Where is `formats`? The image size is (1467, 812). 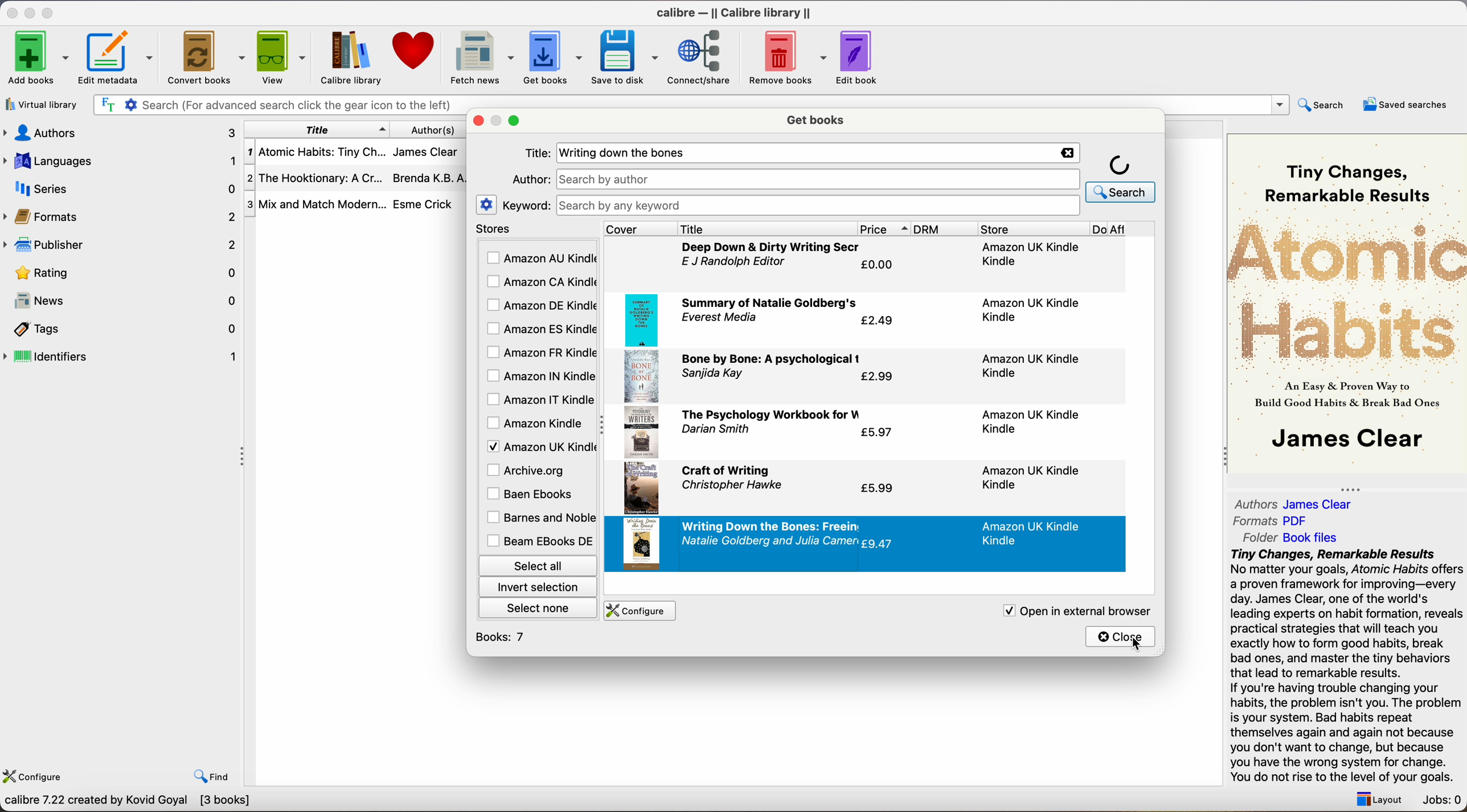
formats is located at coordinates (121, 216).